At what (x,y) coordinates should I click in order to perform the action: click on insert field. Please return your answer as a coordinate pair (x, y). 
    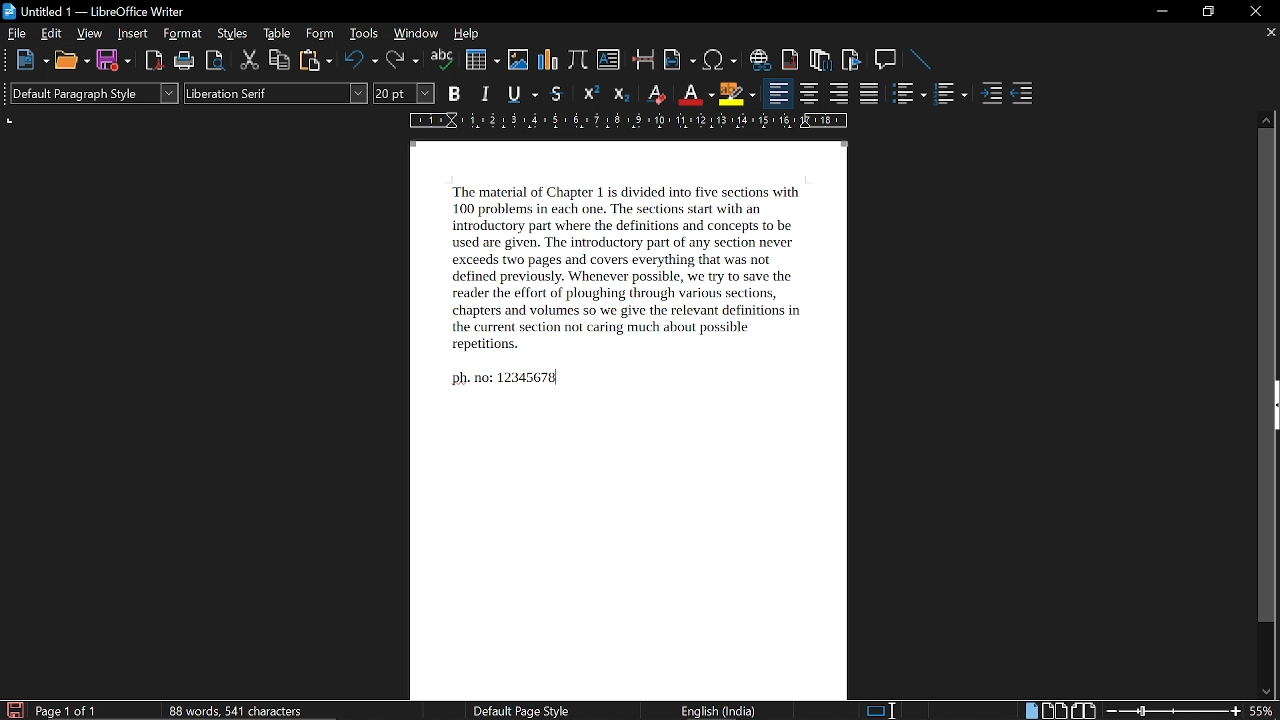
    Looking at the image, I should click on (678, 60).